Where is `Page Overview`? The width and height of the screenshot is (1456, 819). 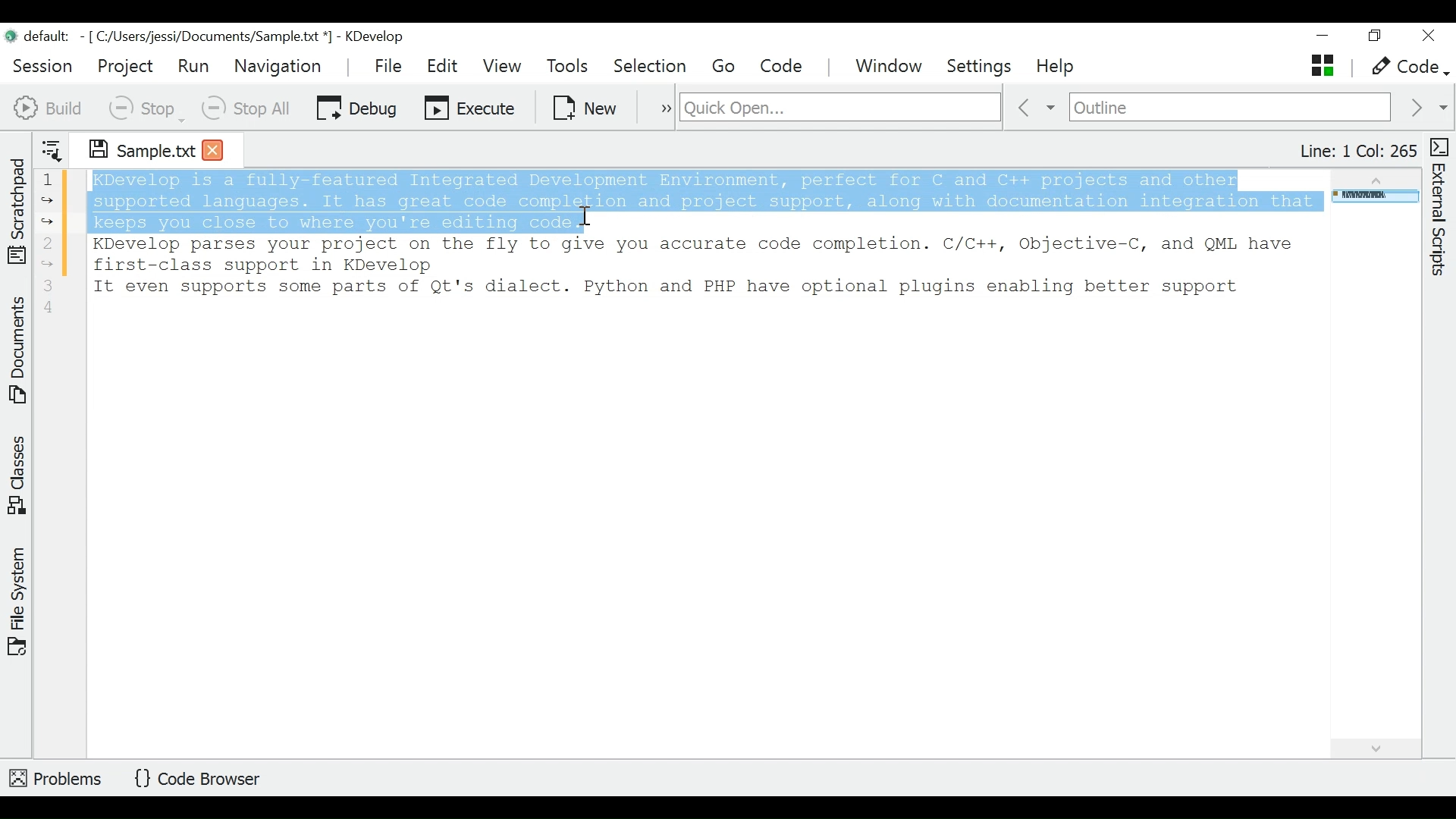
Page Overview is located at coordinates (1373, 198).